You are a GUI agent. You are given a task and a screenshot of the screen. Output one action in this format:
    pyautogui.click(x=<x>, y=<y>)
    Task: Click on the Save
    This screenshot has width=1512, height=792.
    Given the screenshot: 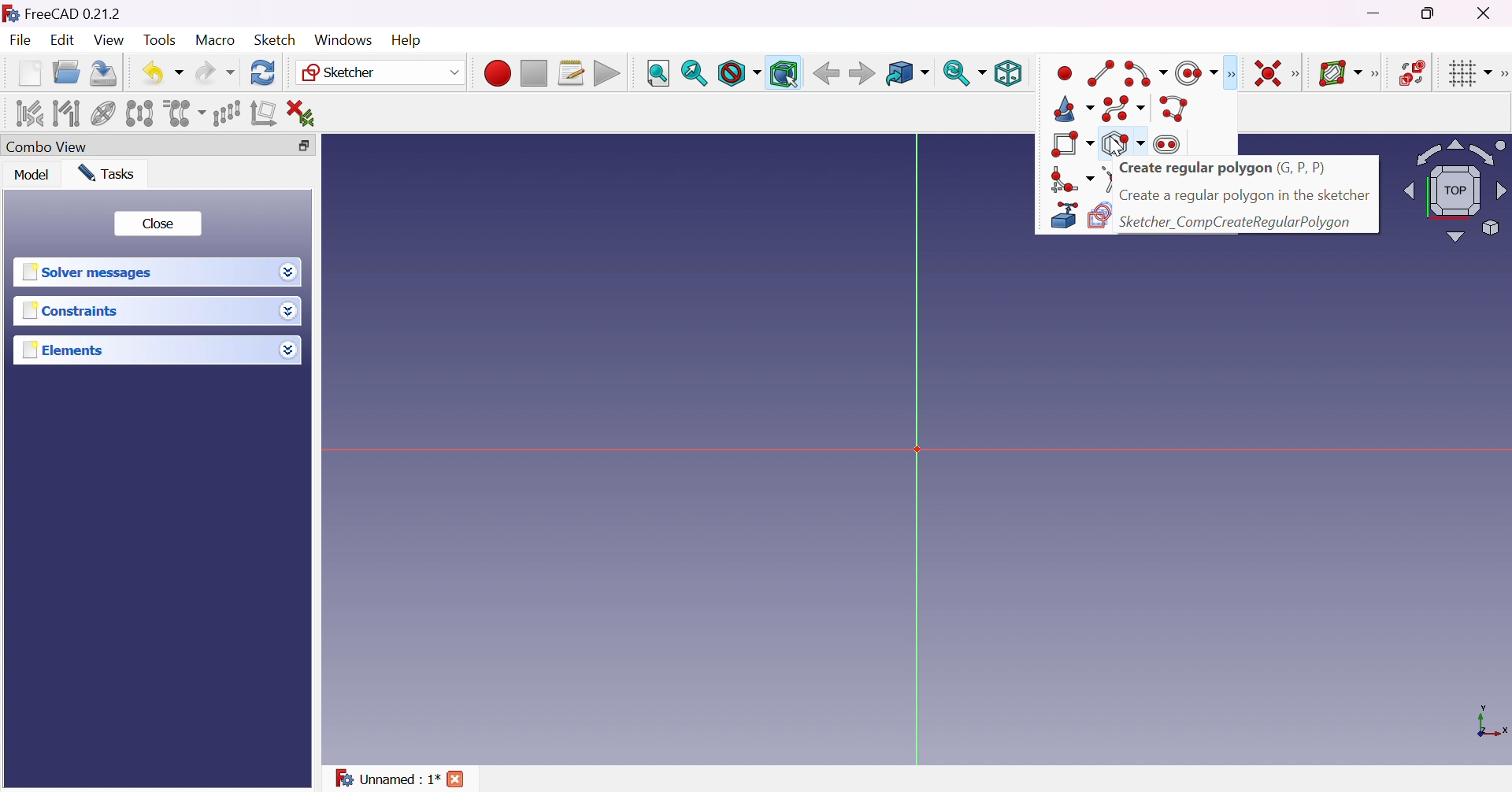 What is the action you would take?
    pyautogui.click(x=104, y=73)
    